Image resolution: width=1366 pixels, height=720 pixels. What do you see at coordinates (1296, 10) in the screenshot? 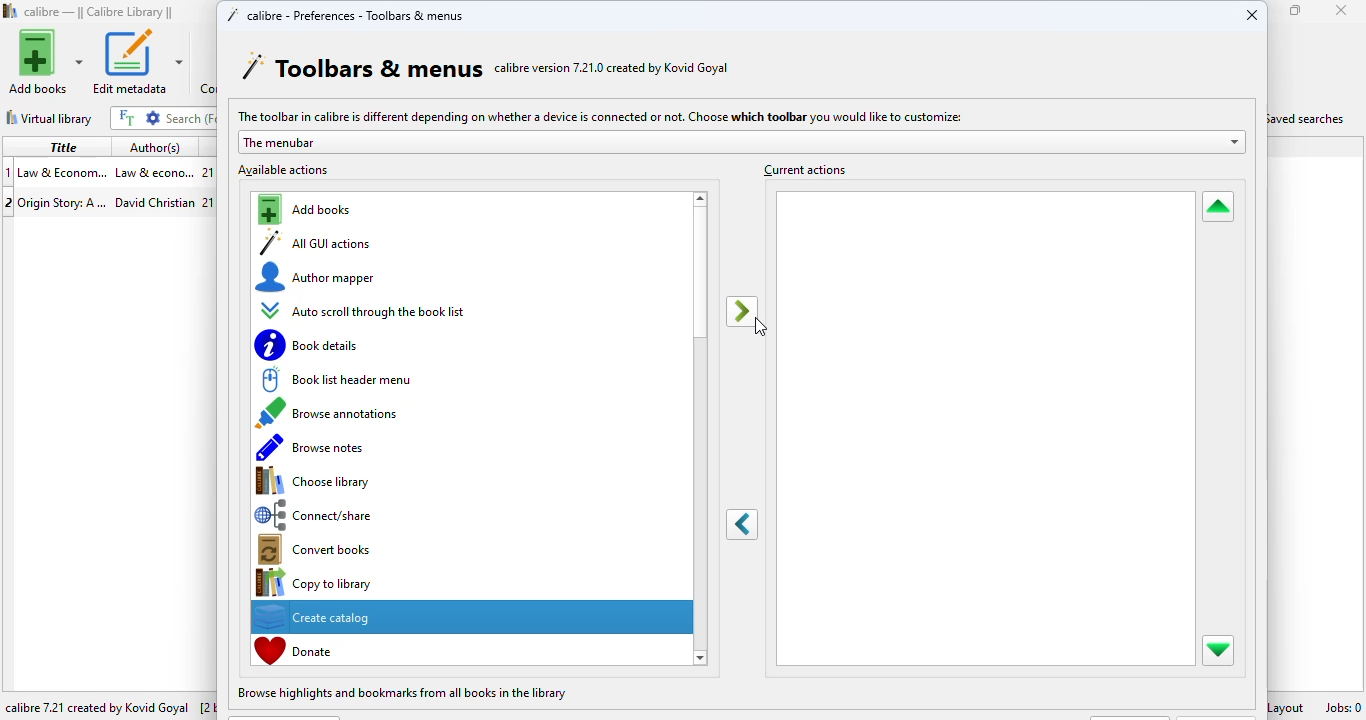
I see `maximize` at bounding box center [1296, 10].